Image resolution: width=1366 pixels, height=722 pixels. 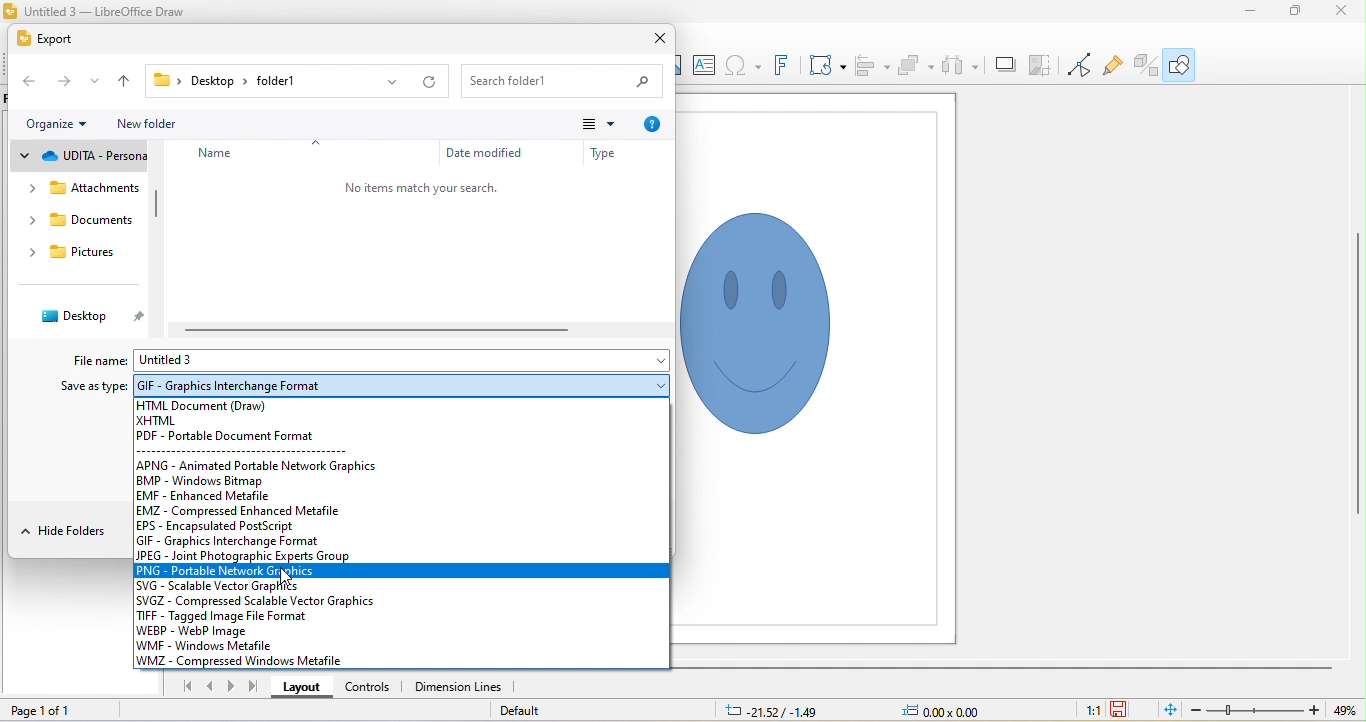 I want to click on drop down, so click(x=88, y=125).